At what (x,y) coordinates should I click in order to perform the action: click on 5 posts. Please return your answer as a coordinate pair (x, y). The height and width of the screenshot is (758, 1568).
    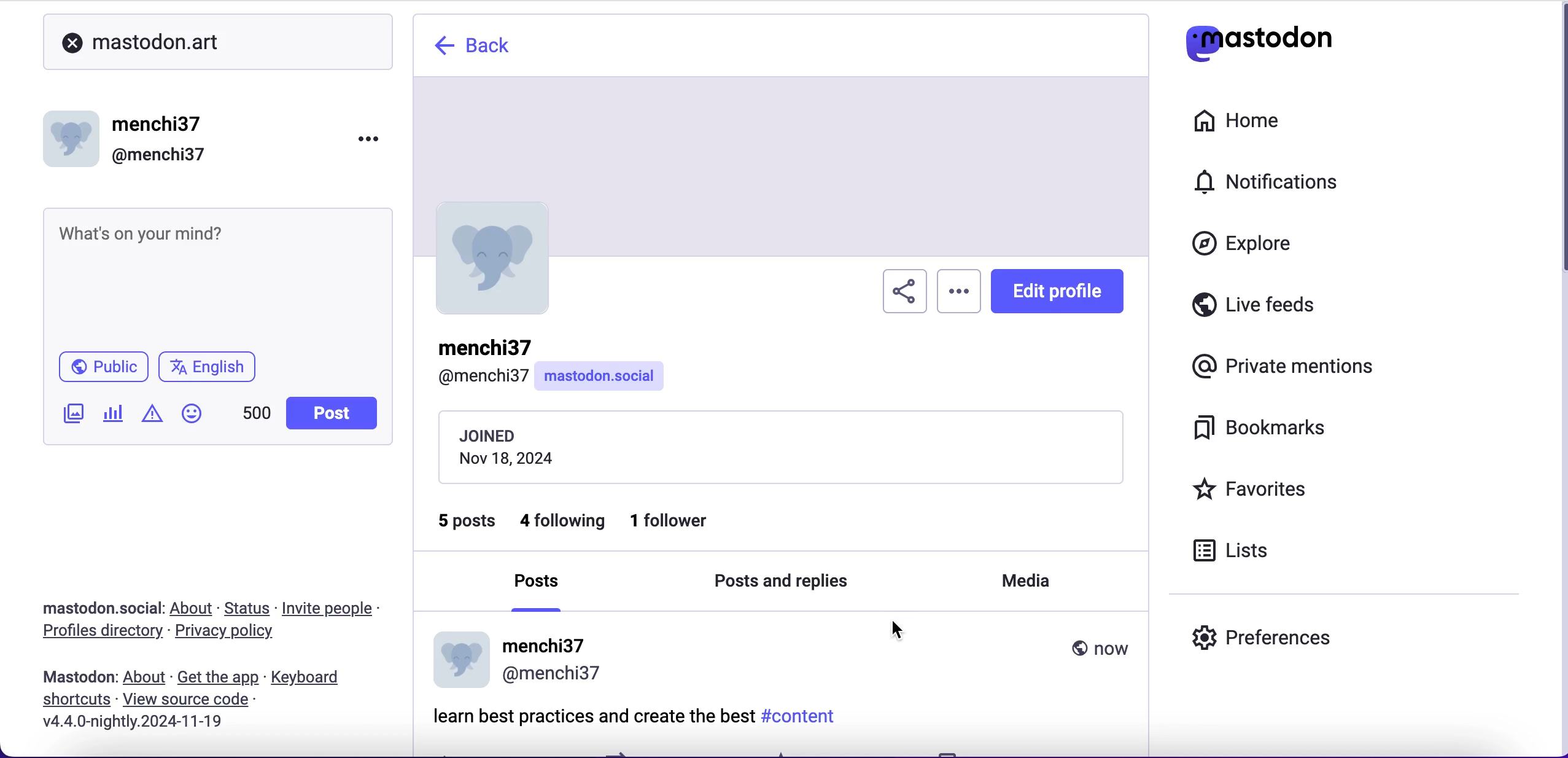
    Looking at the image, I should click on (467, 520).